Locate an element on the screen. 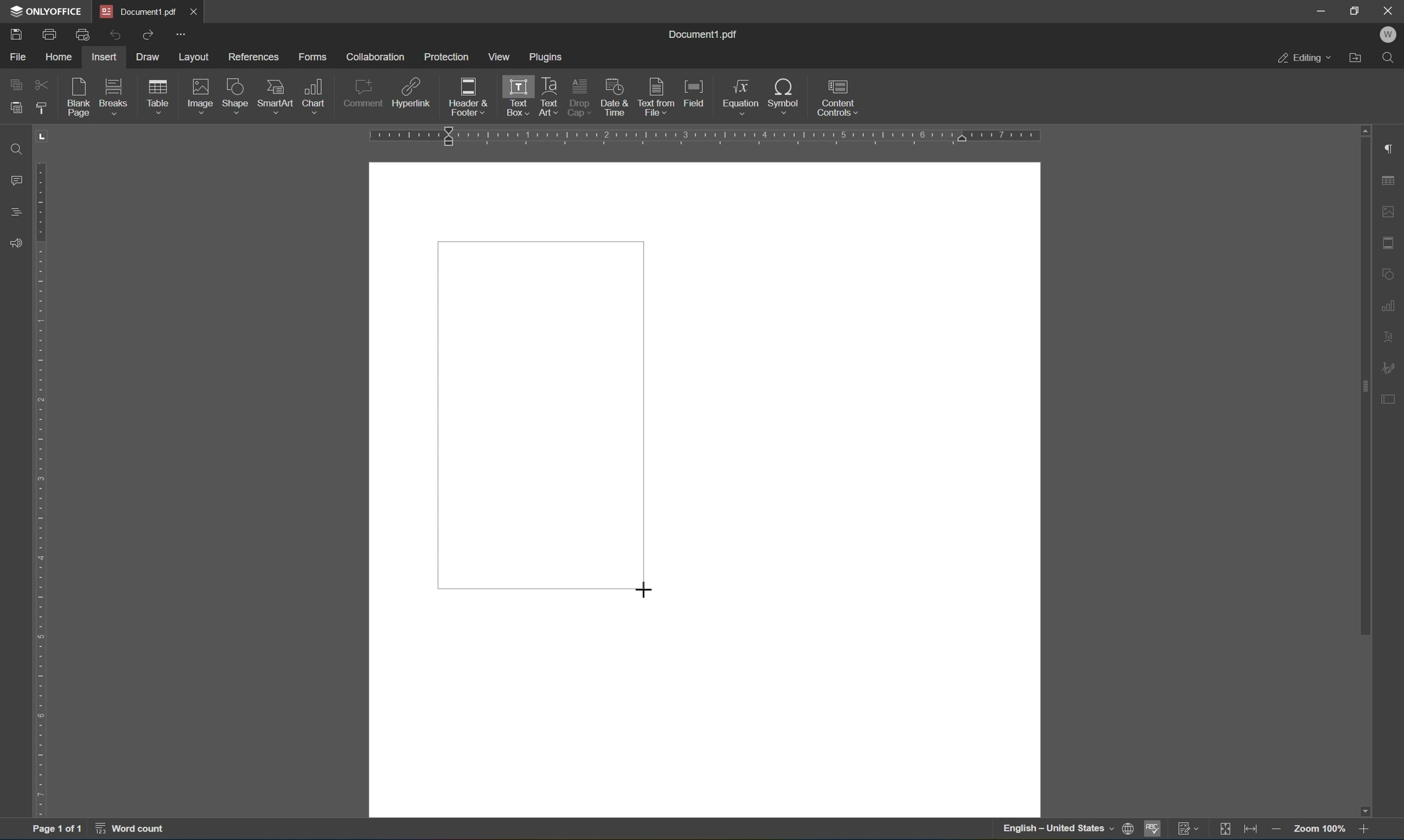  More is located at coordinates (181, 33).